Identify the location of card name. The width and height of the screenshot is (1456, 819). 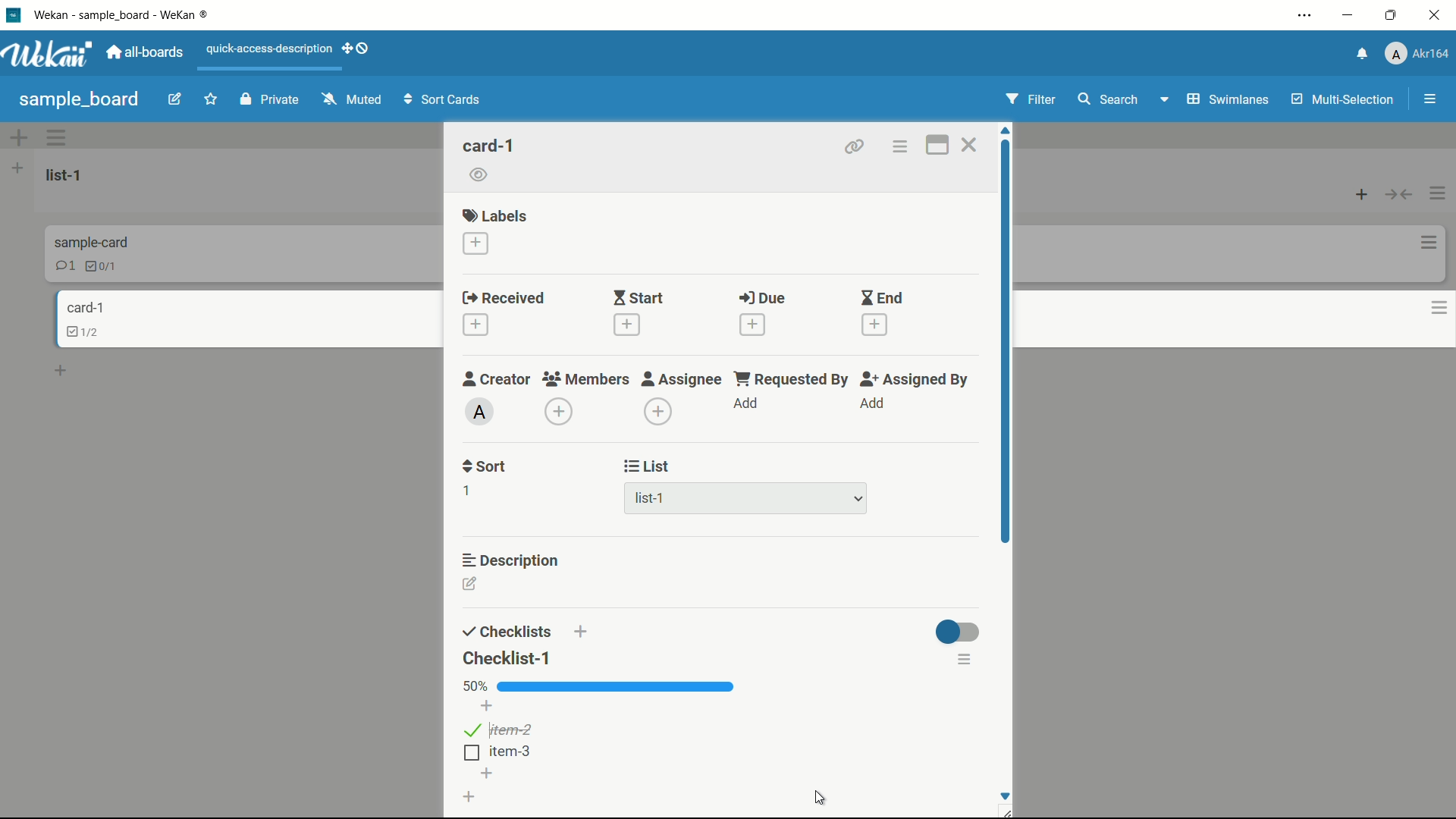
(488, 146).